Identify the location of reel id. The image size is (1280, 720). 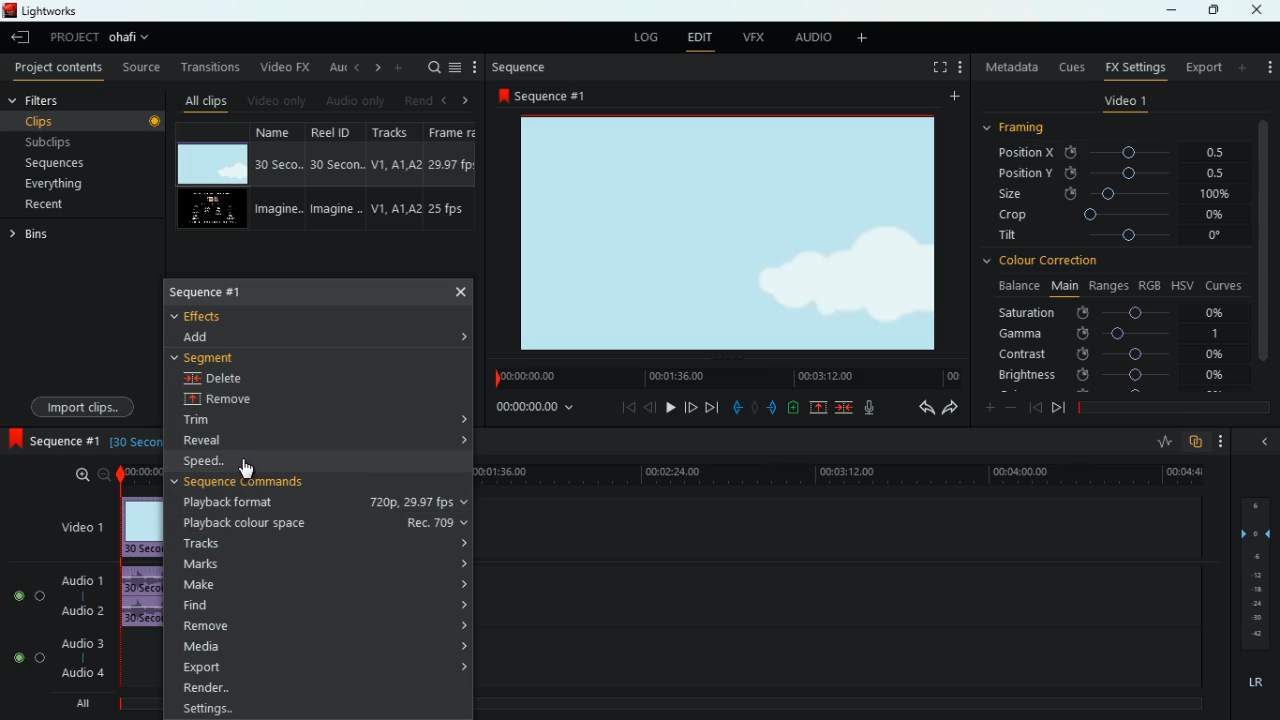
(329, 175).